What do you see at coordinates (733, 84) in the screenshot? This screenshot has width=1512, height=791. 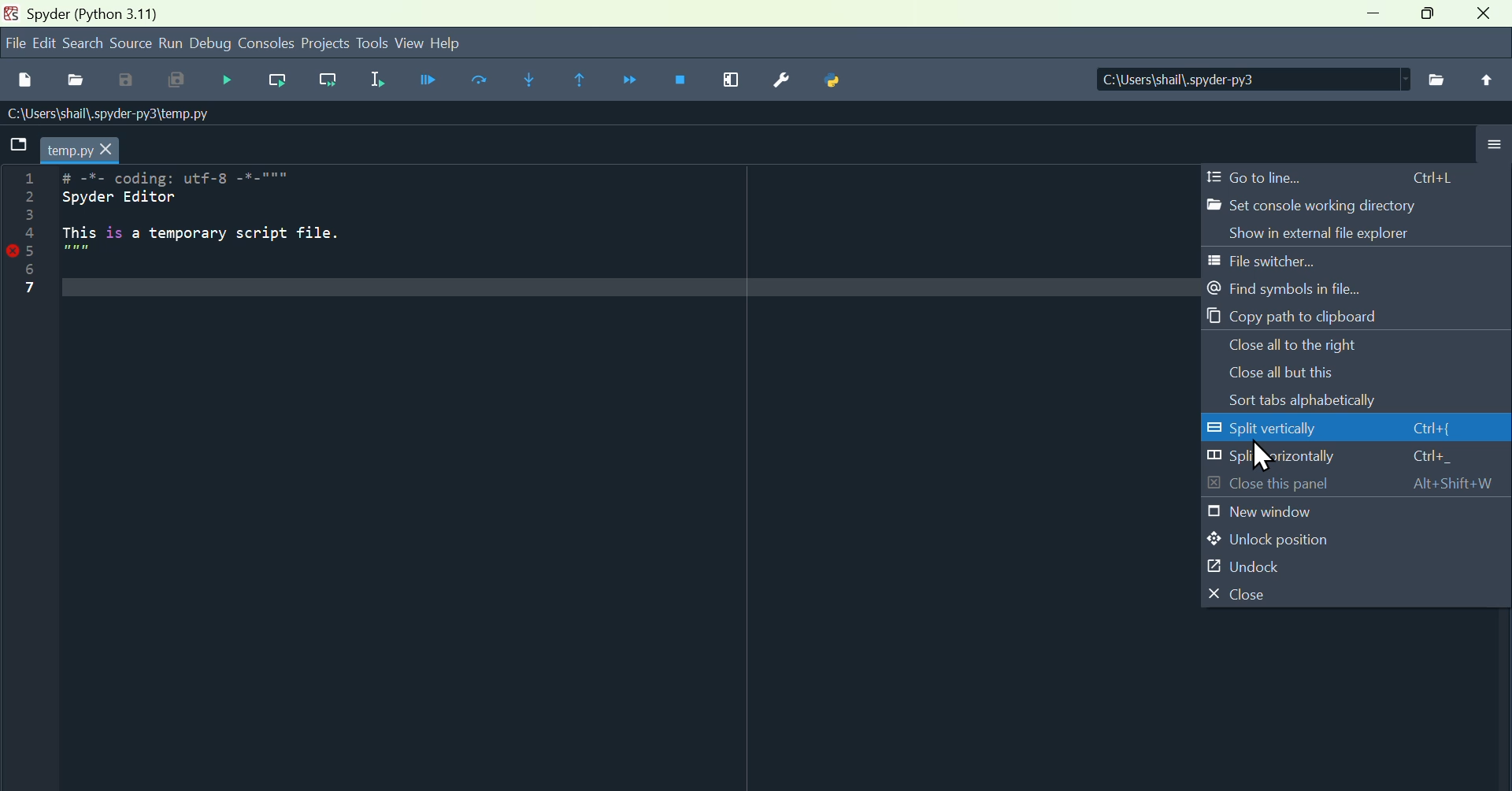 I see `Maximise current window` at bounding box center [733, 84].